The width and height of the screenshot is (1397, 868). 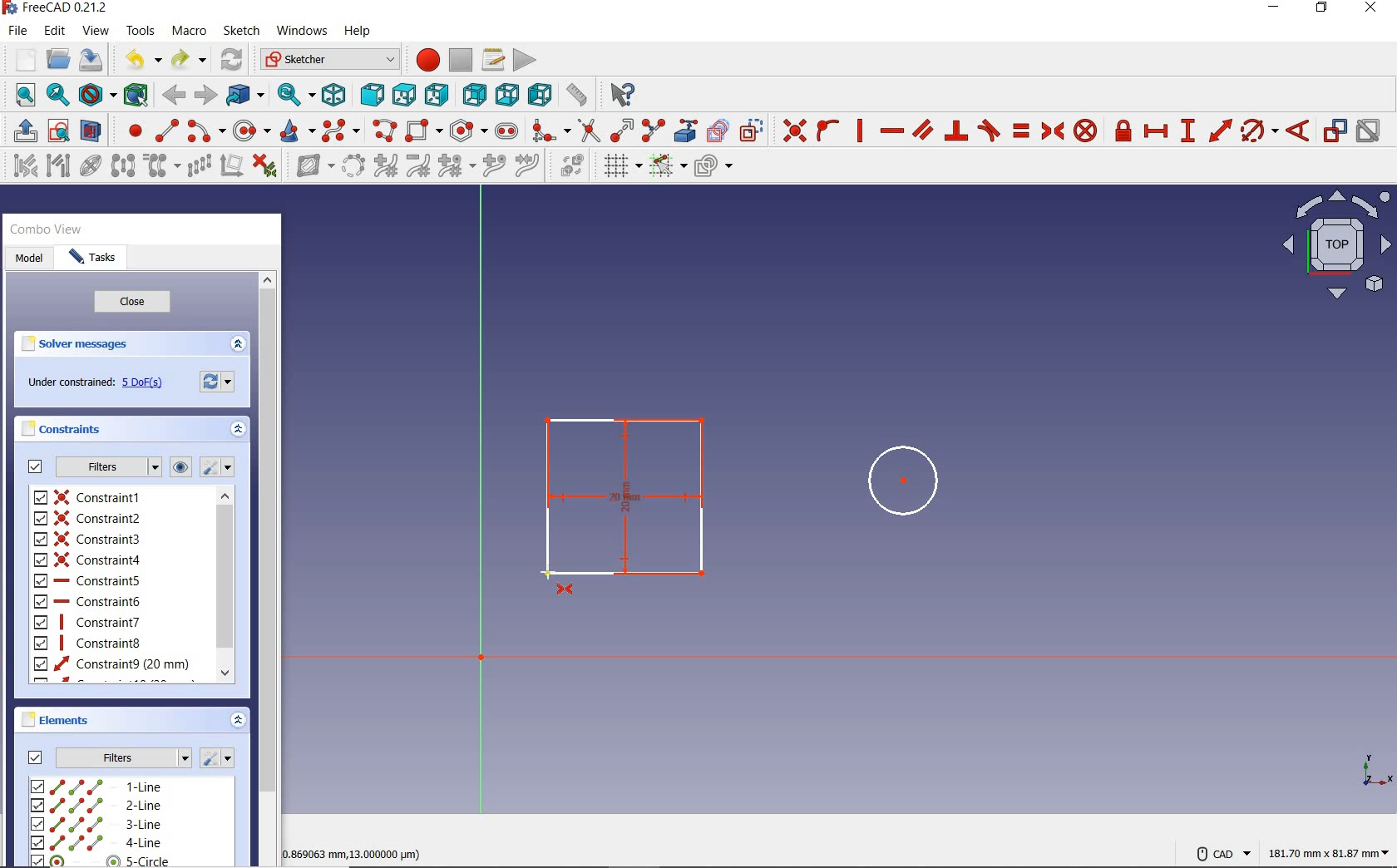 What do you see at coordinates (295, 94) in the screenshot?
I see `sync view` at bounding box center [295, 94].